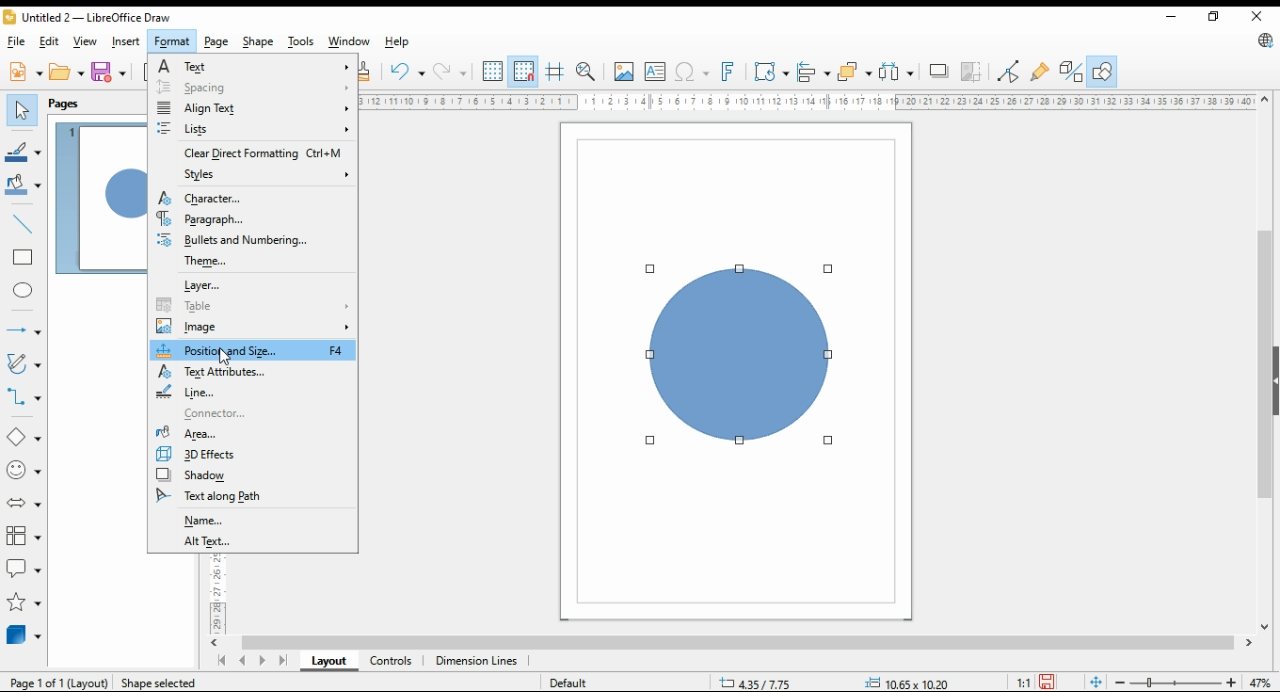  What do you see at coordinates (255, 87) in the screenshot?
I see `spacing` at bounding box center [255, 87].